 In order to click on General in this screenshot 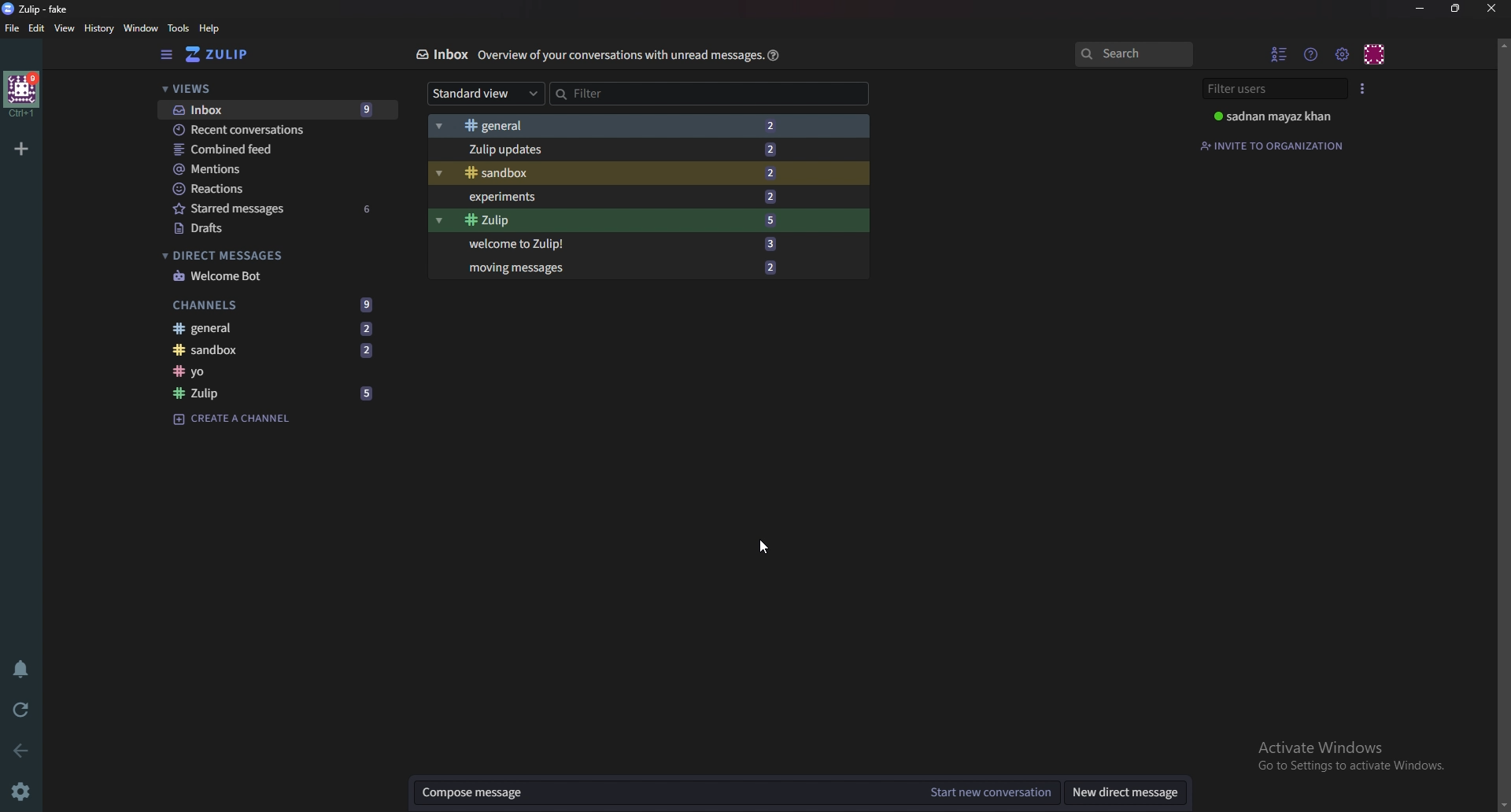, I will do `click(650, 123)`.